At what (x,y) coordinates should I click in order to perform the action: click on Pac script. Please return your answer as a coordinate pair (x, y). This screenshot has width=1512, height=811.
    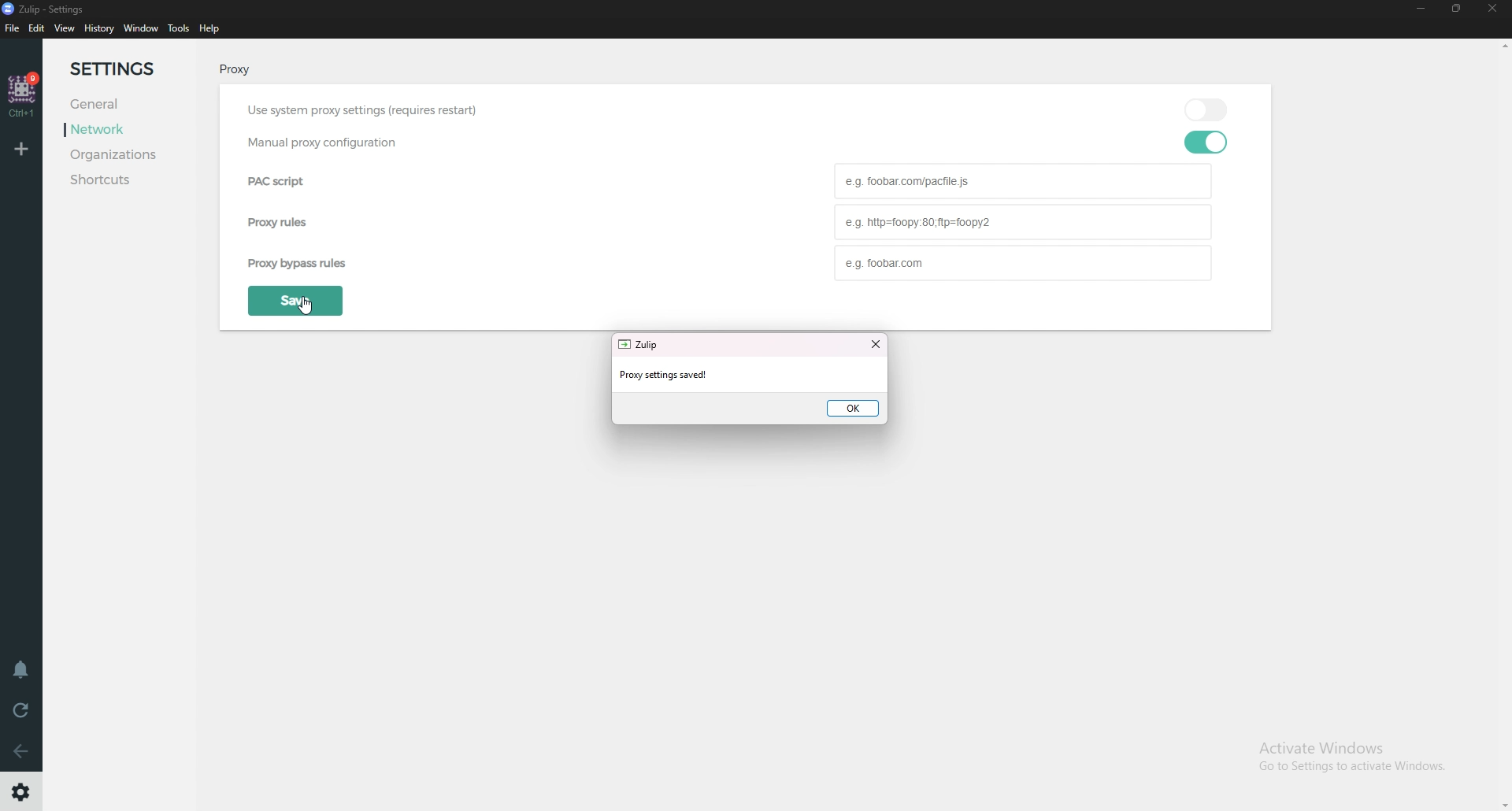
    Looking at the image, I should click on (1026, 181).